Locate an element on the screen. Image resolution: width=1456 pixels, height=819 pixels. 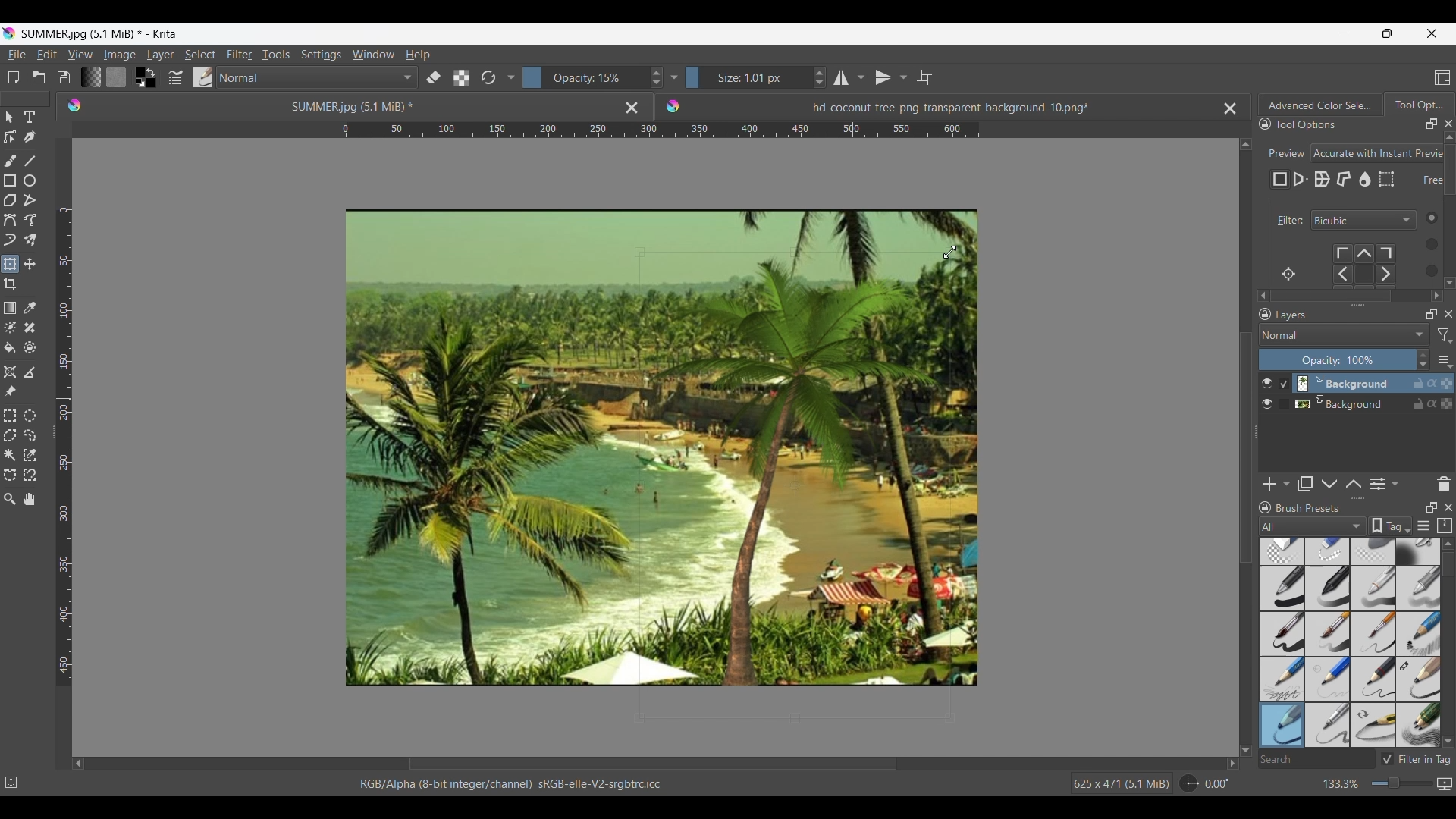
Cursor unchanged, left mouse button selected is located at coordinates (853, 398).